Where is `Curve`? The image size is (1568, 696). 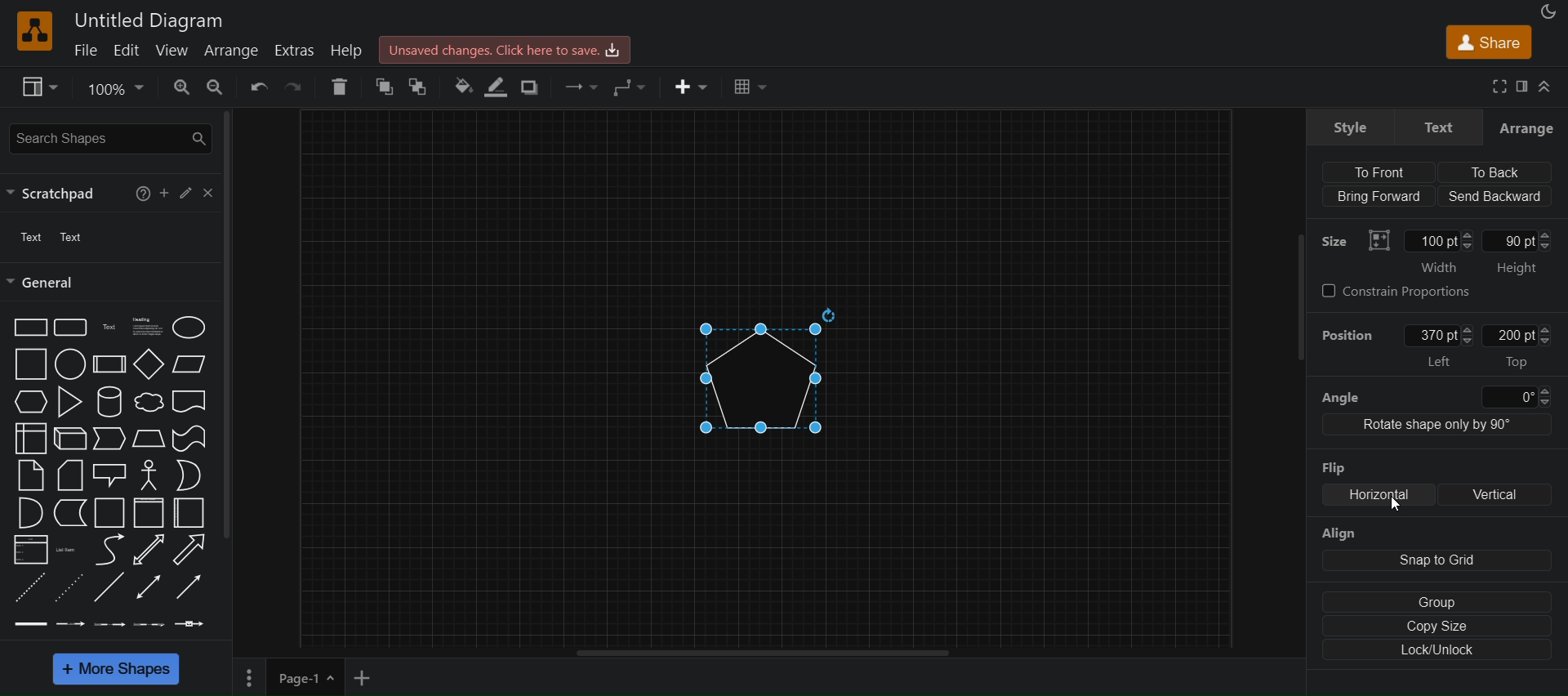
Curve is located at coordinates (110, 550).